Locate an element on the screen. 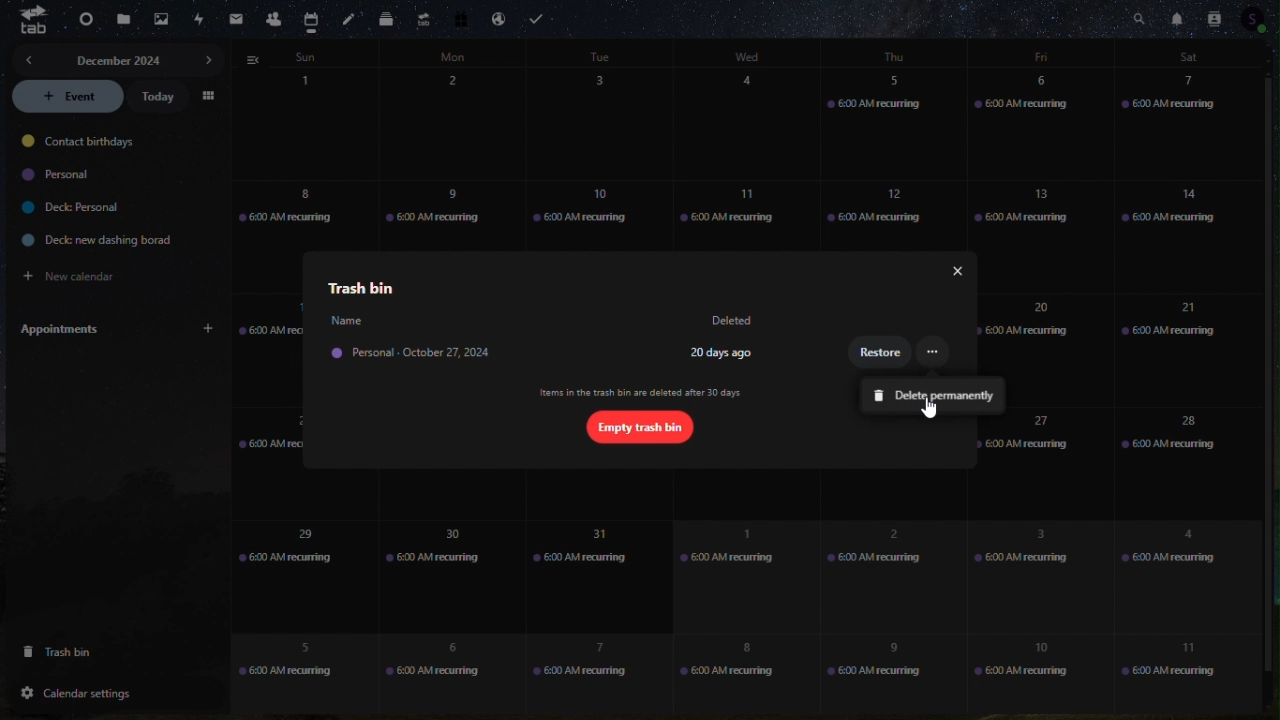 This screenshot has width=1280, height=720. calendar settings is located at coordinates (86, 690).